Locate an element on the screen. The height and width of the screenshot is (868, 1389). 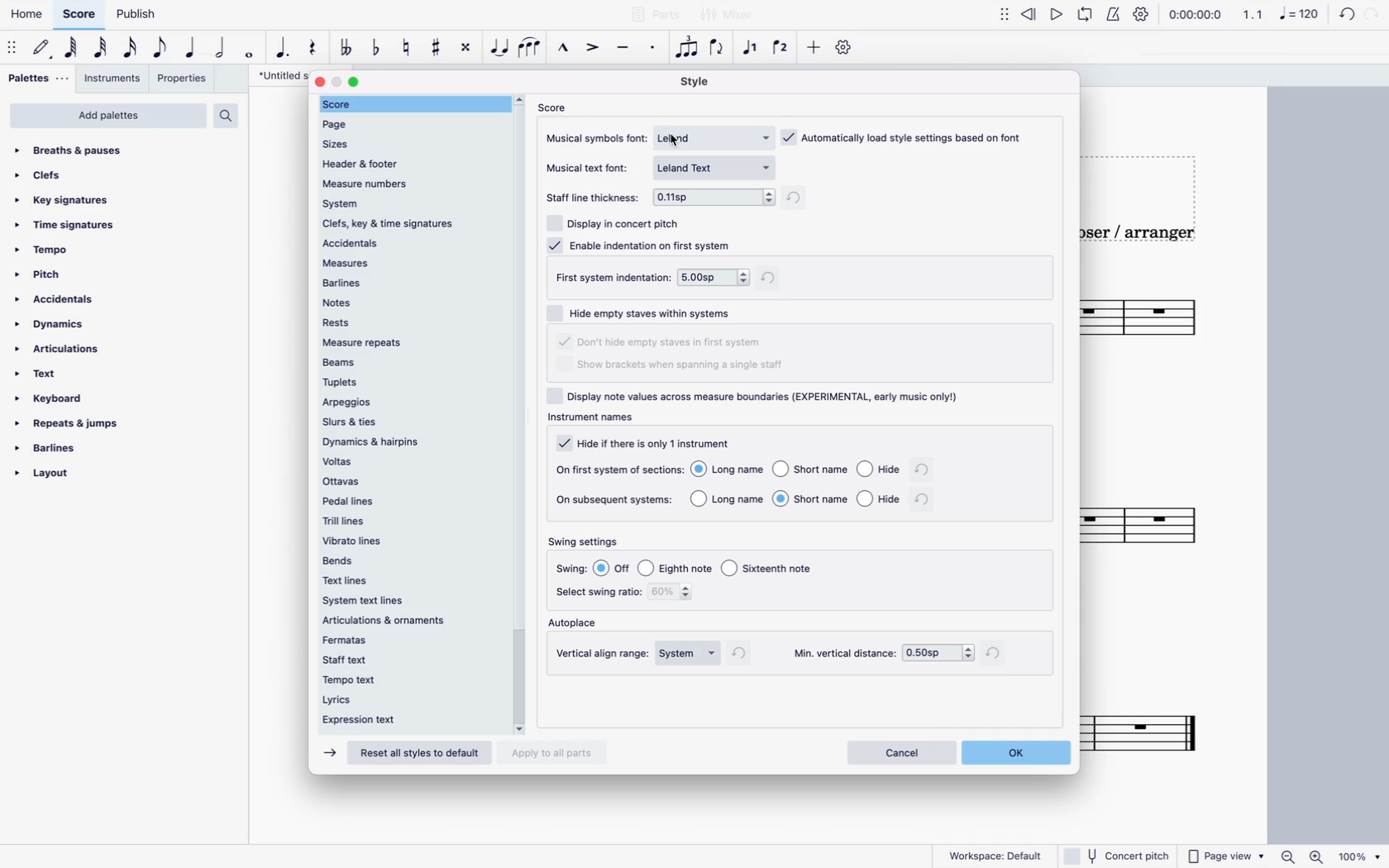
full note is located at coordinates (251, 55).